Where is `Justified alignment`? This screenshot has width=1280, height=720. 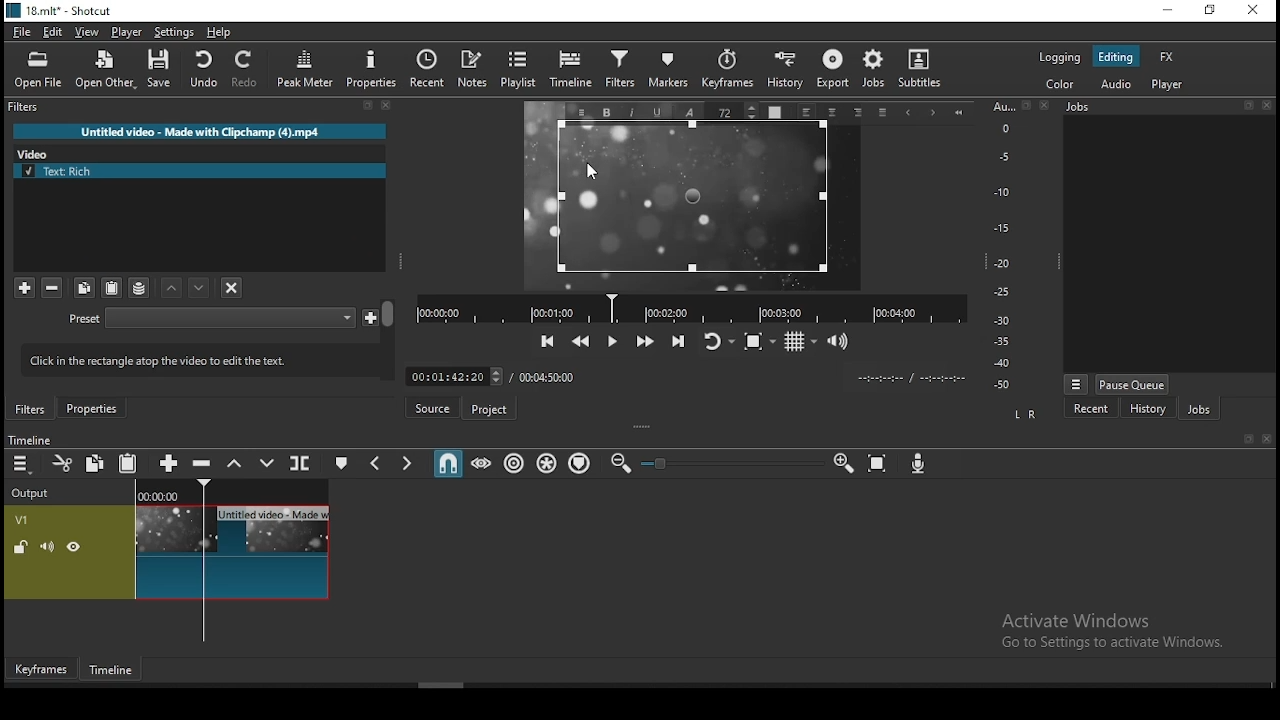 Justified alignment is located at coordinates (882, 113).